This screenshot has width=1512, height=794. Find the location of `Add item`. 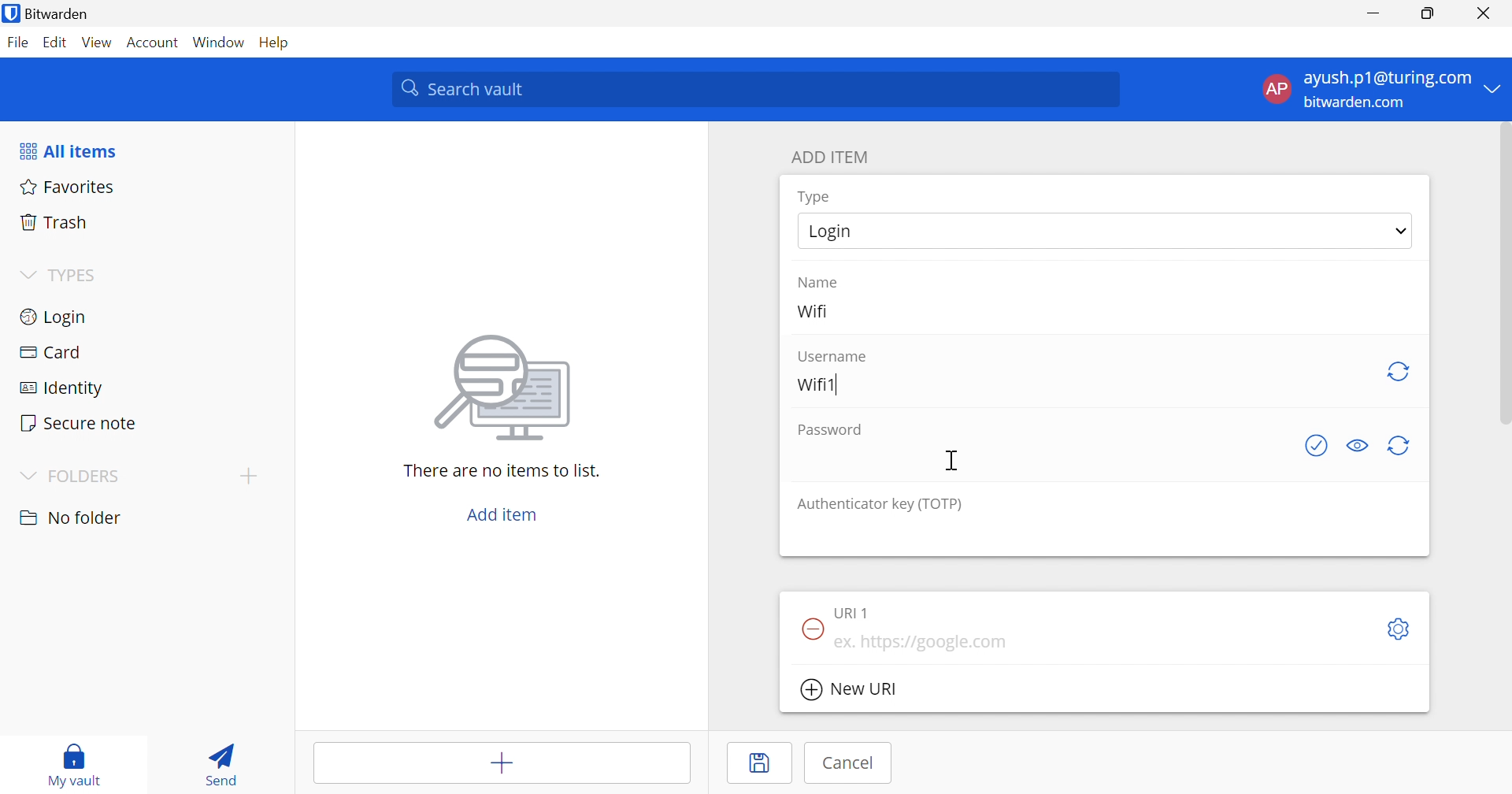

Add item is located at coordinates (502, 514).